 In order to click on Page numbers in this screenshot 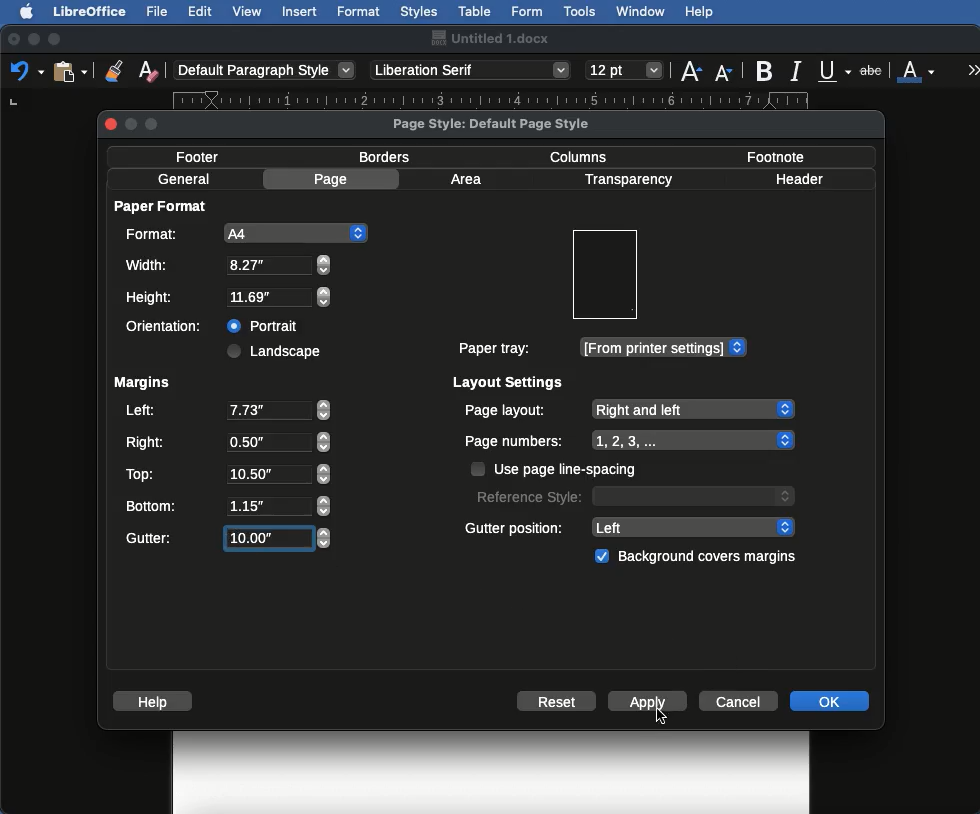, I will do `click(630, 441)`.